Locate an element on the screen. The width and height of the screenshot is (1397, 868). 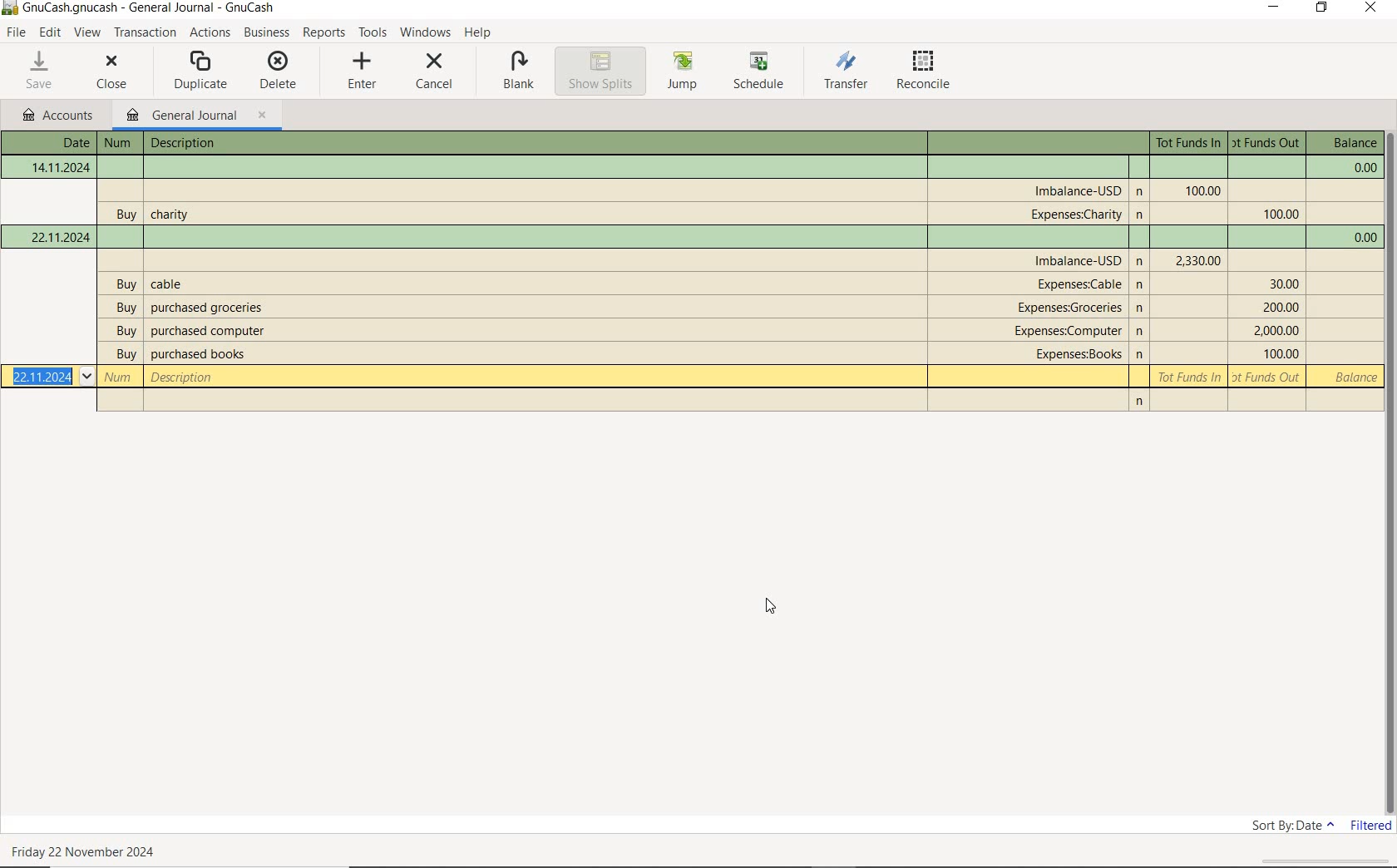
TRANSFER is located at coordinates (846, 71).